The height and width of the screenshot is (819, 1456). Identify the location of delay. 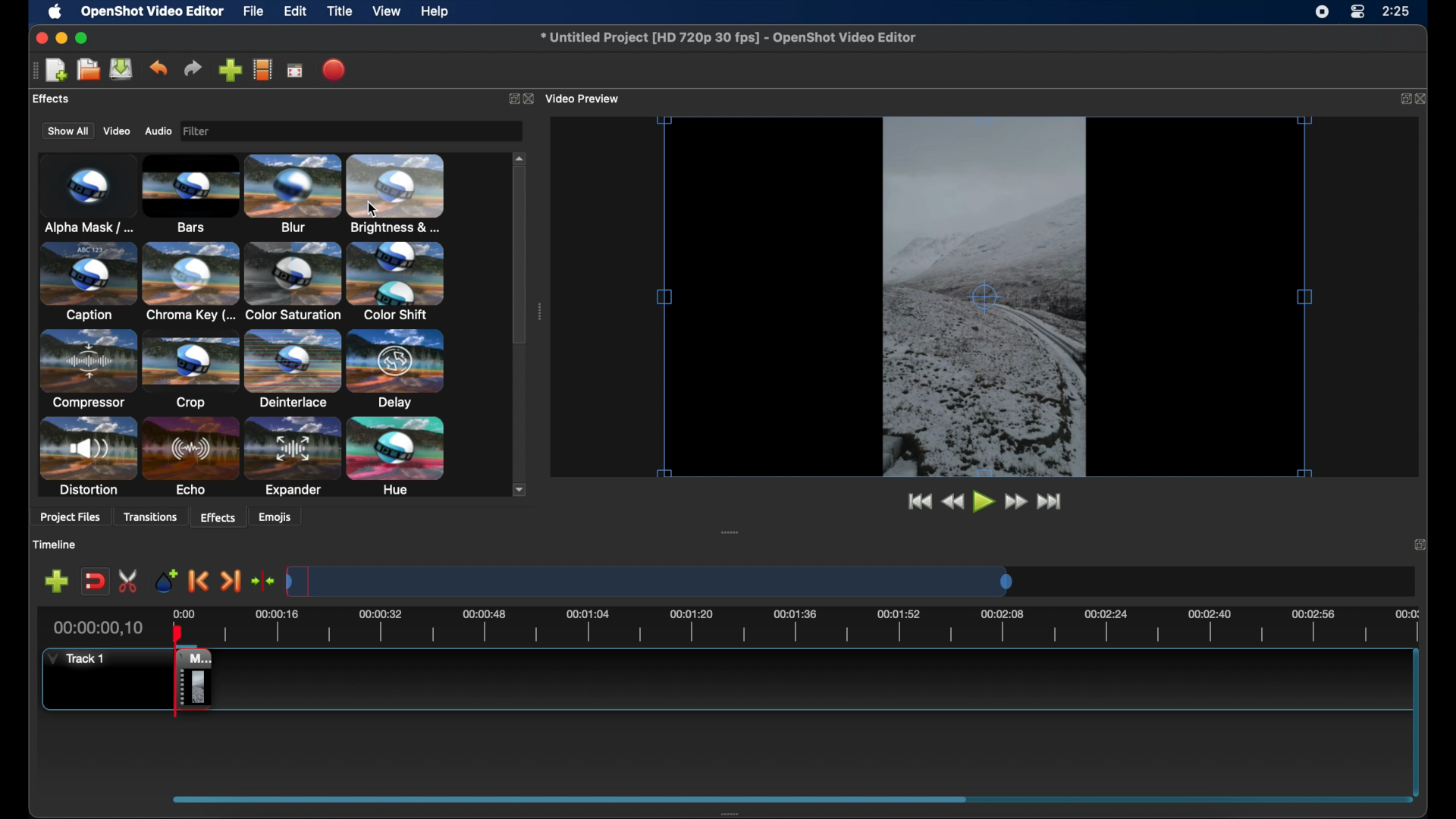
(396, 369).